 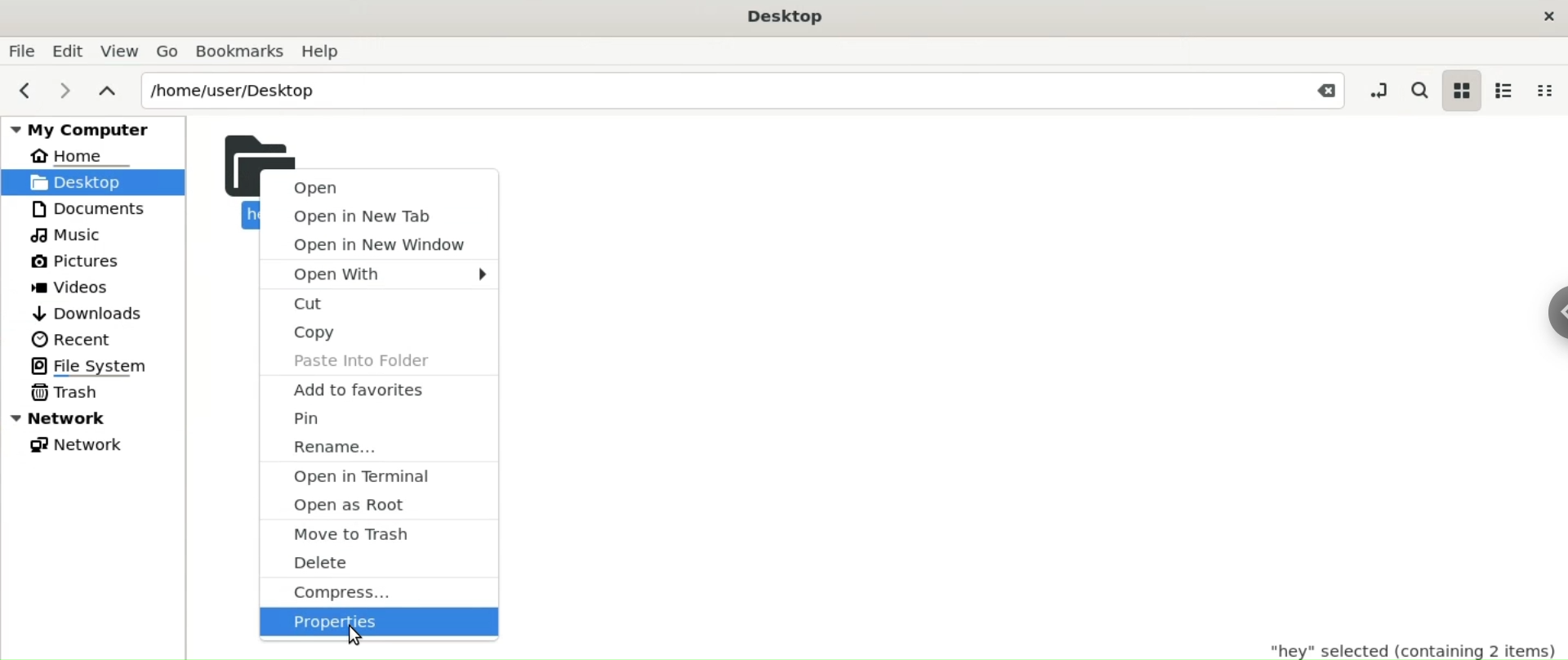 What do you see at coordinates (91, 127) in the screenshot?
I see `My Computer` at bounding box center [91, 127].